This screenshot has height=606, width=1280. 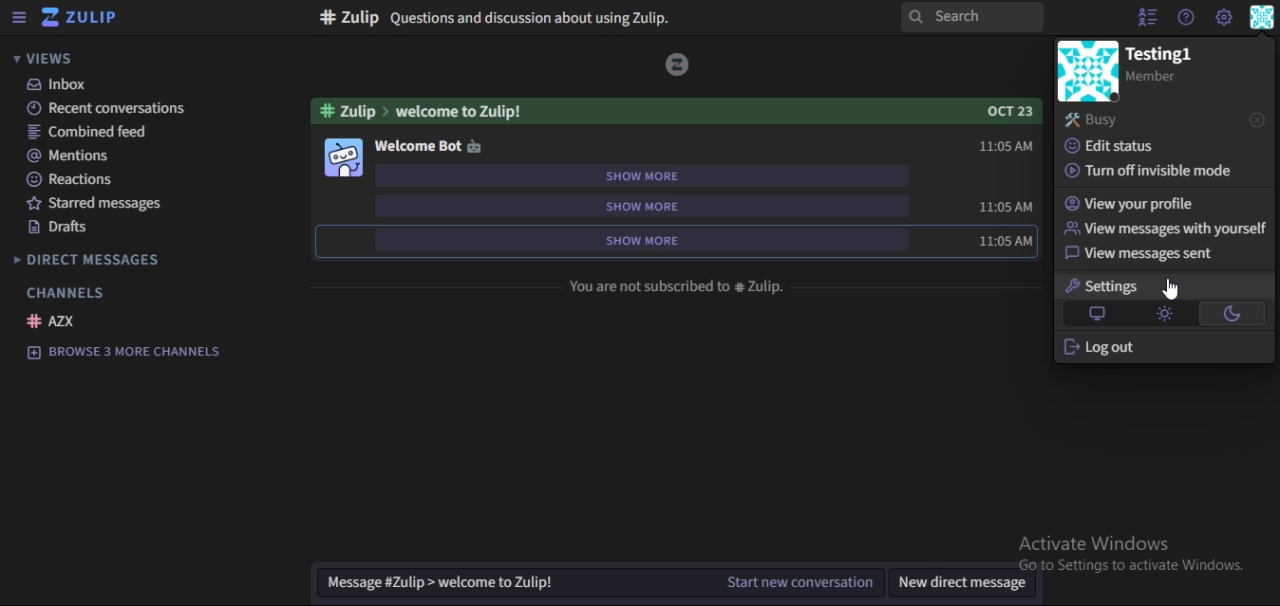 I want to click on turn off invisible mode, so click(x=1147, y=171).